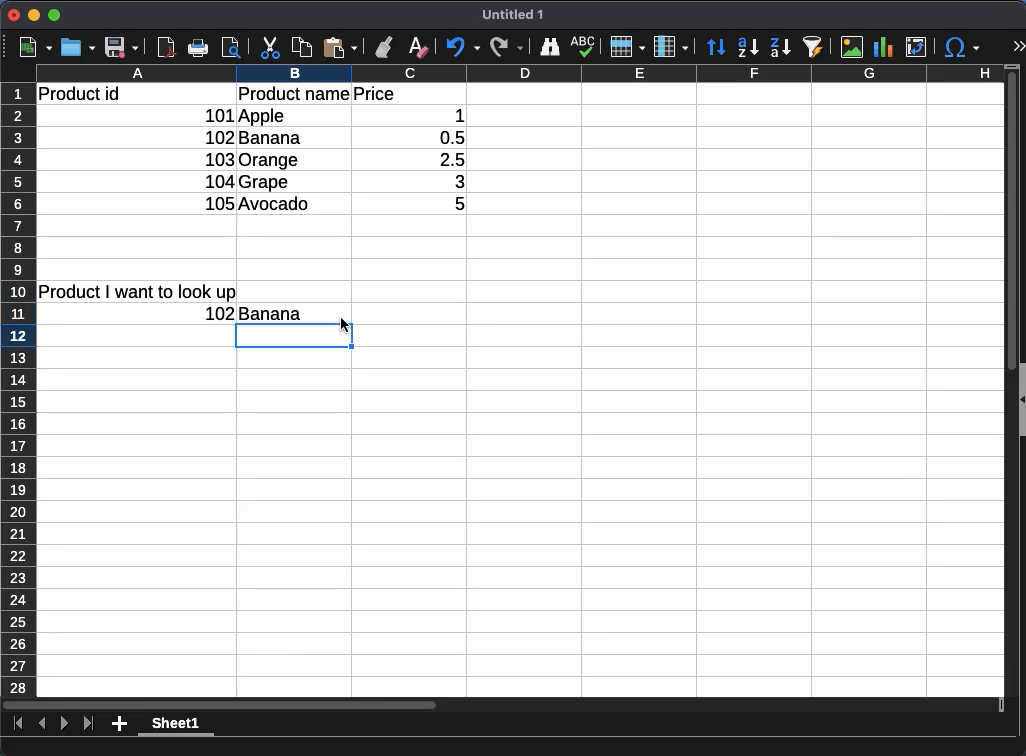 The image size is (1026, 756). I want to click on row, so click(18, 390).